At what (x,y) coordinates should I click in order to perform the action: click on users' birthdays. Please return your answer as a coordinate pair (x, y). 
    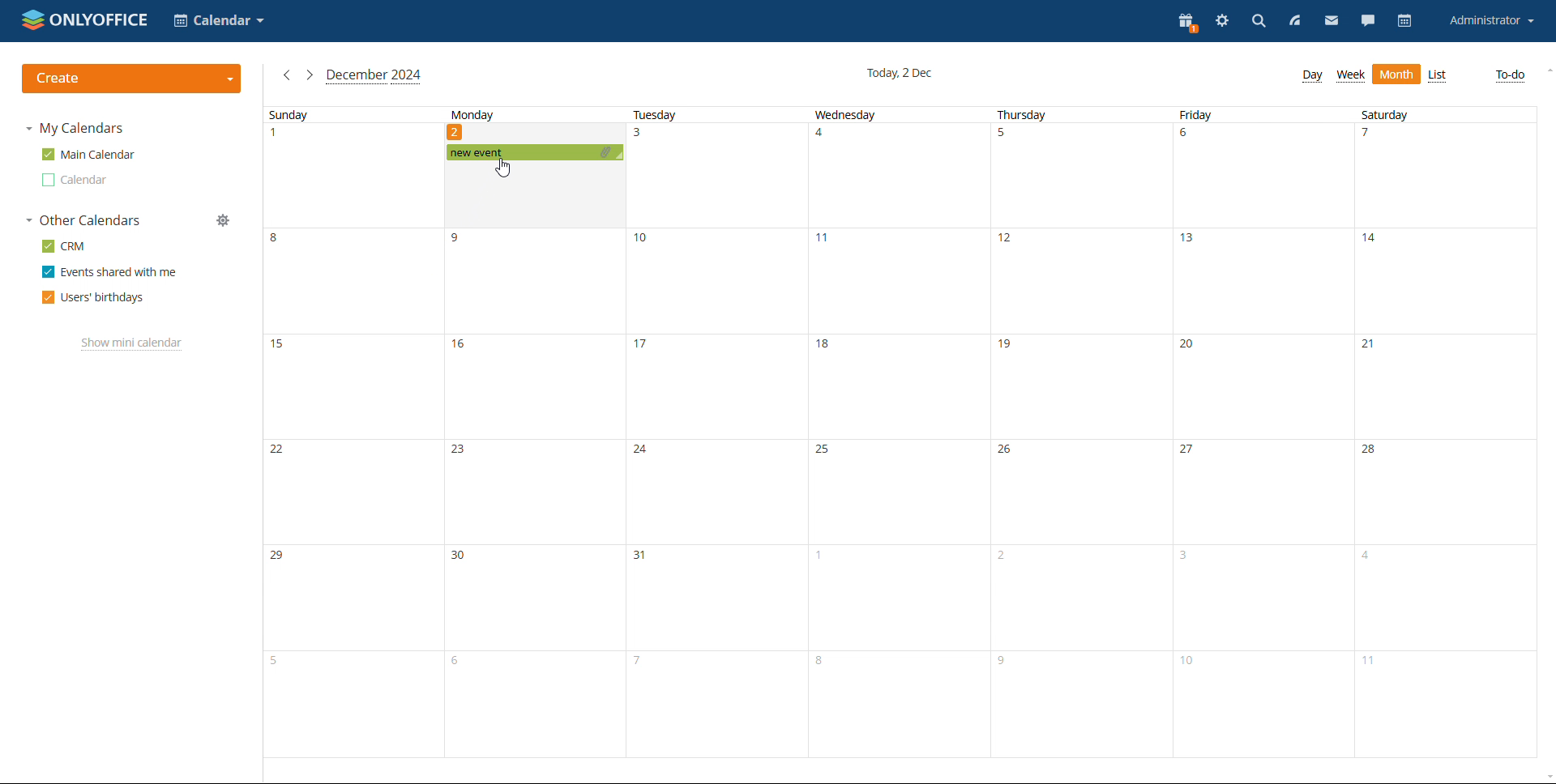
    Looking at the image, I should click on (92, 297).